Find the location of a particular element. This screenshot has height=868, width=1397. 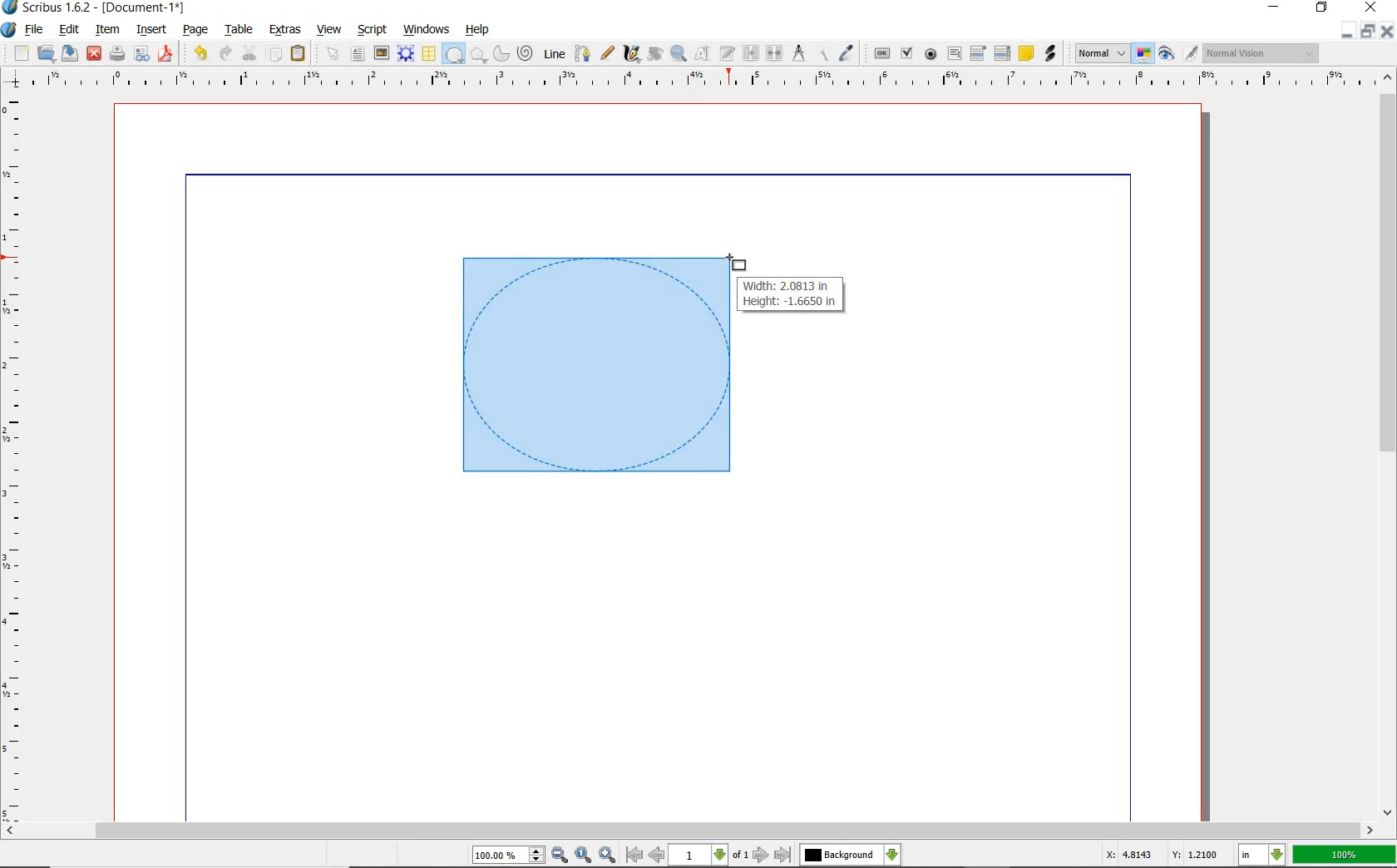

select current unit is located at coordinates (1261, 853).